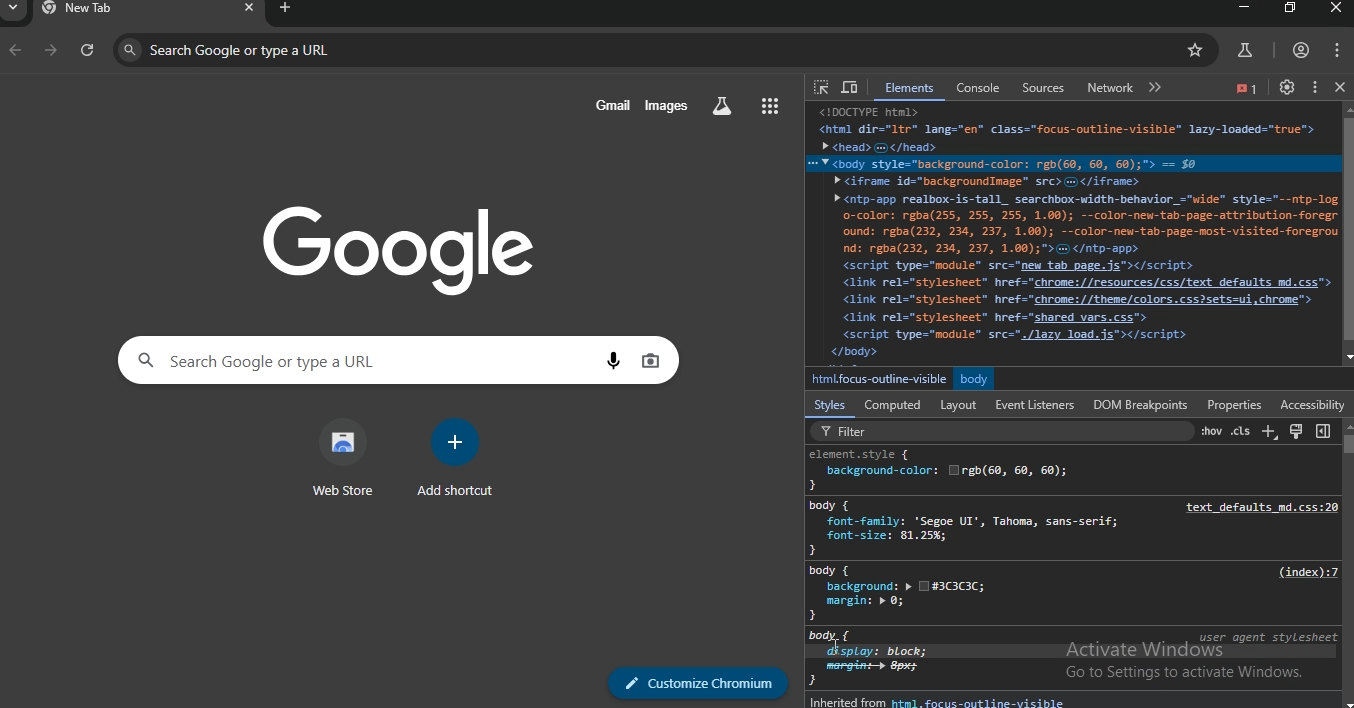  What do you see at coordinates (1346, 468) in the screenshot?
I see `scrollbar` at bounding box center [1346, 468].